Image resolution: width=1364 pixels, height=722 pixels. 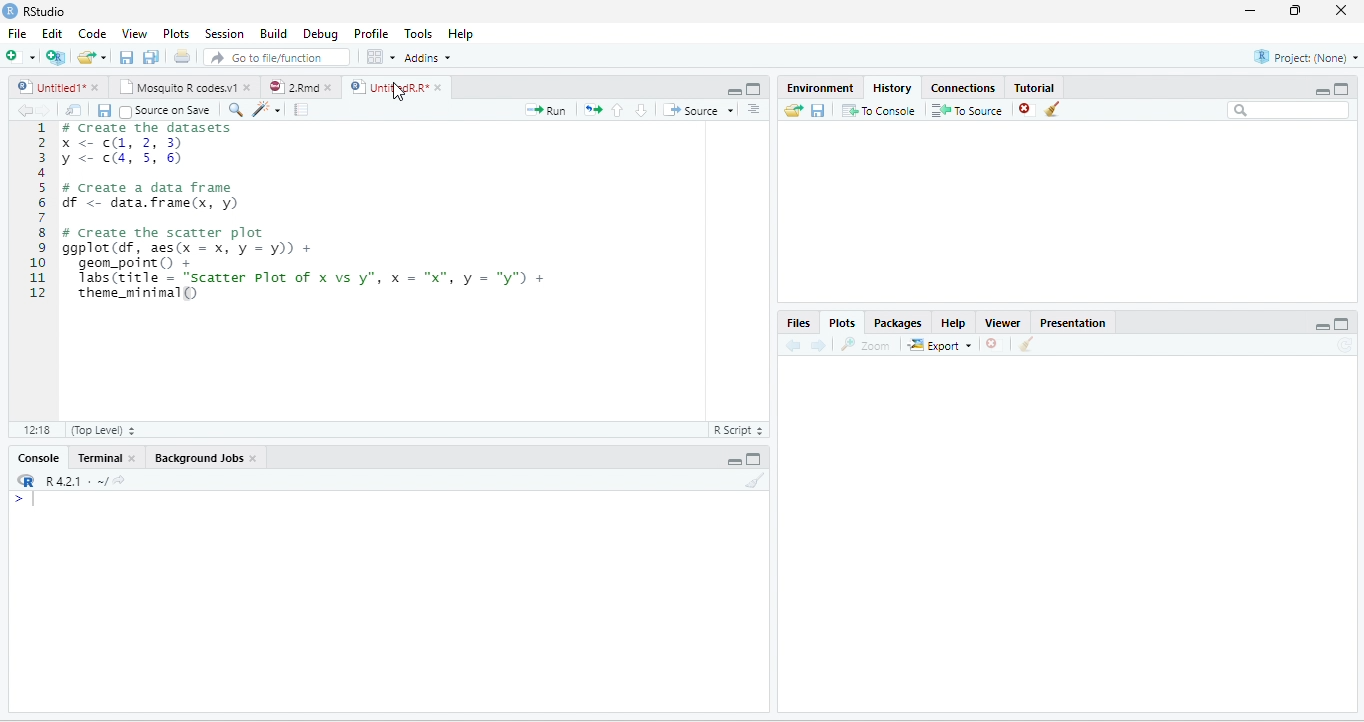 I want to click on Show document outline, so click(x=754, y=108).